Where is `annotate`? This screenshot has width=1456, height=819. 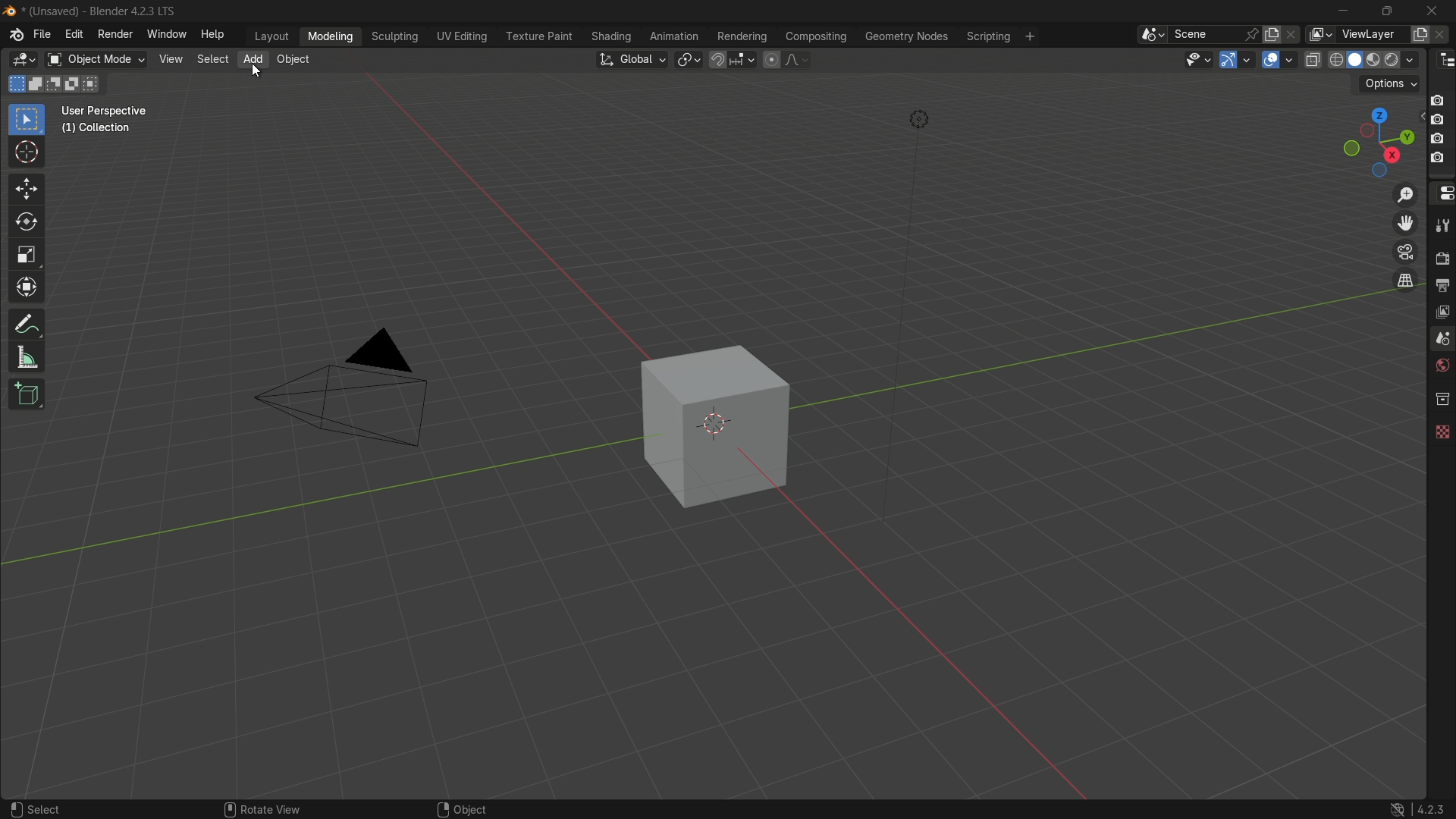
annotate is located at coordinates (27, 322).